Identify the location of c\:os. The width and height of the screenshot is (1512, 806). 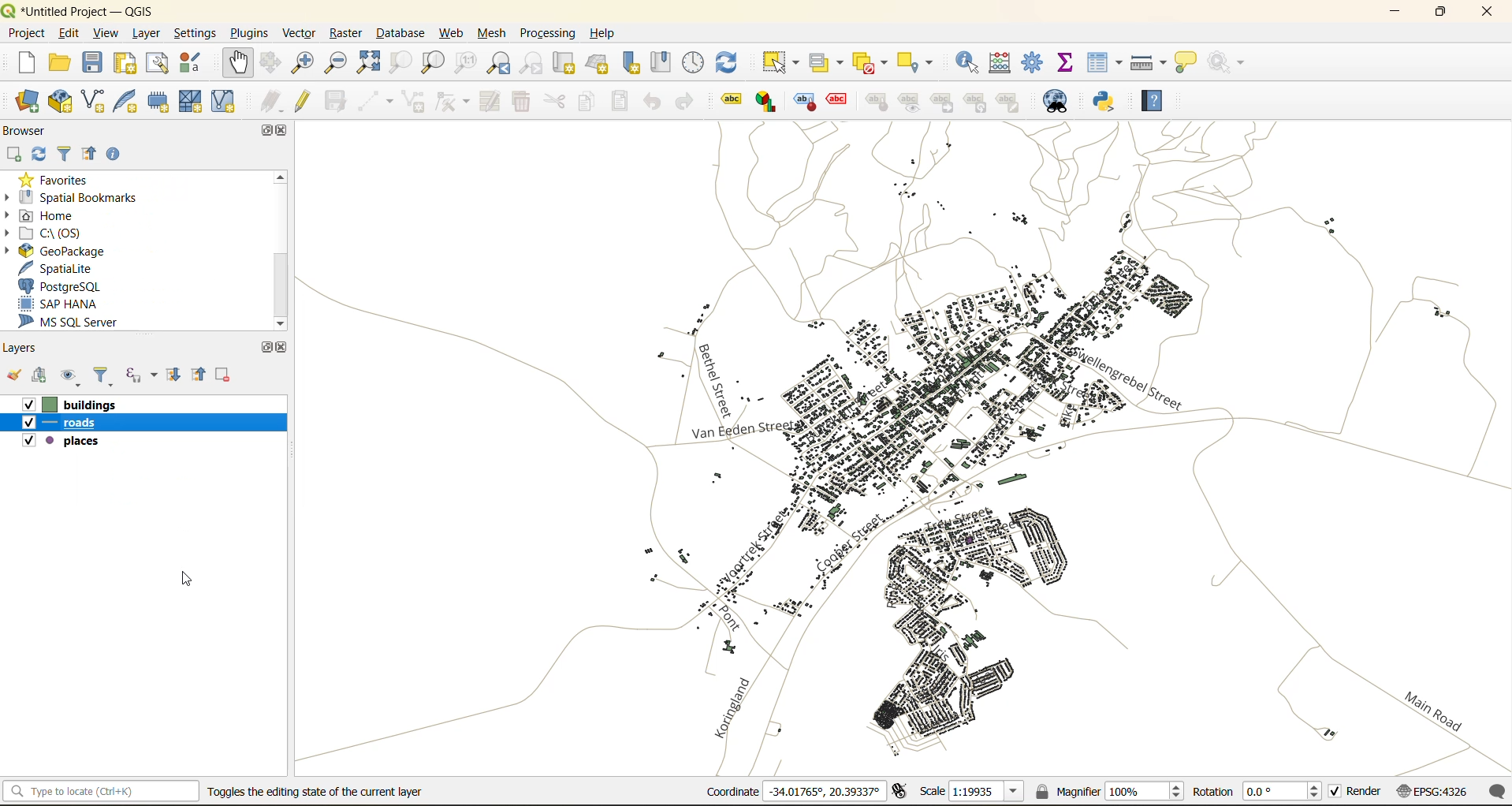
(52, 234).